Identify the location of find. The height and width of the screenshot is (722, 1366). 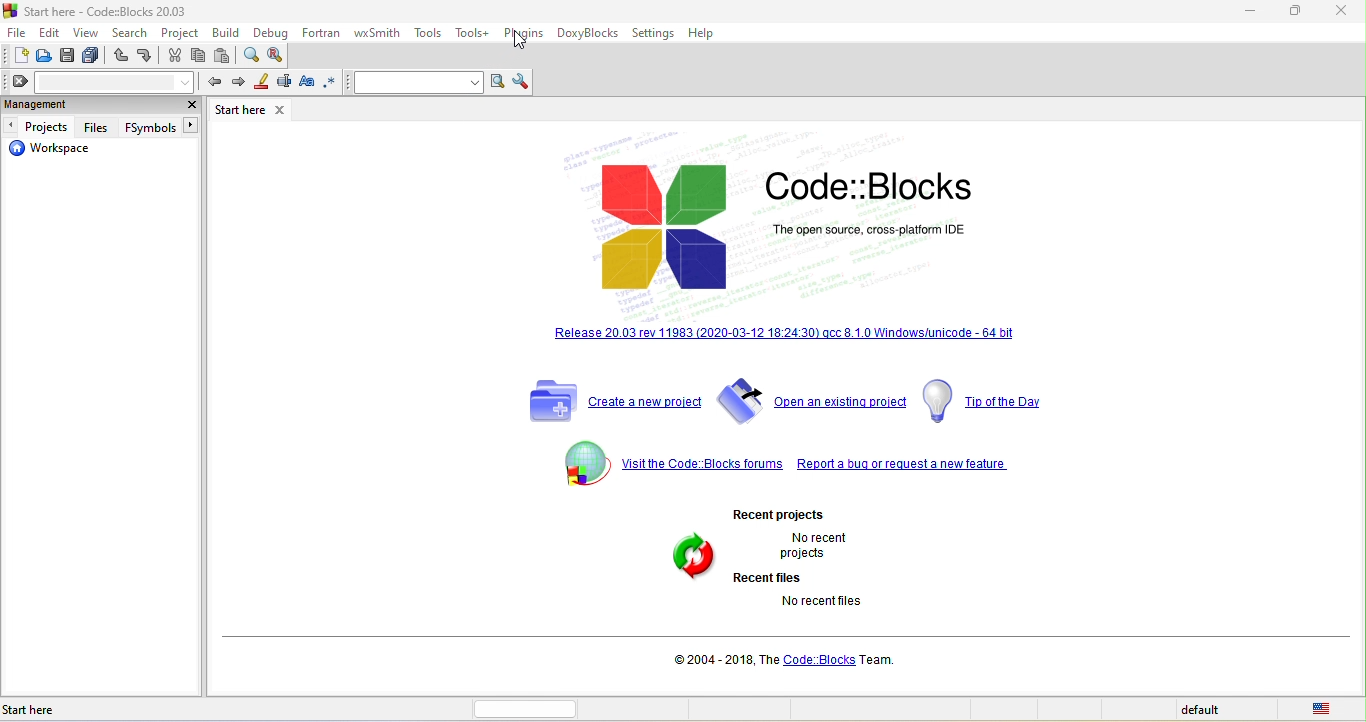
(252, 55).